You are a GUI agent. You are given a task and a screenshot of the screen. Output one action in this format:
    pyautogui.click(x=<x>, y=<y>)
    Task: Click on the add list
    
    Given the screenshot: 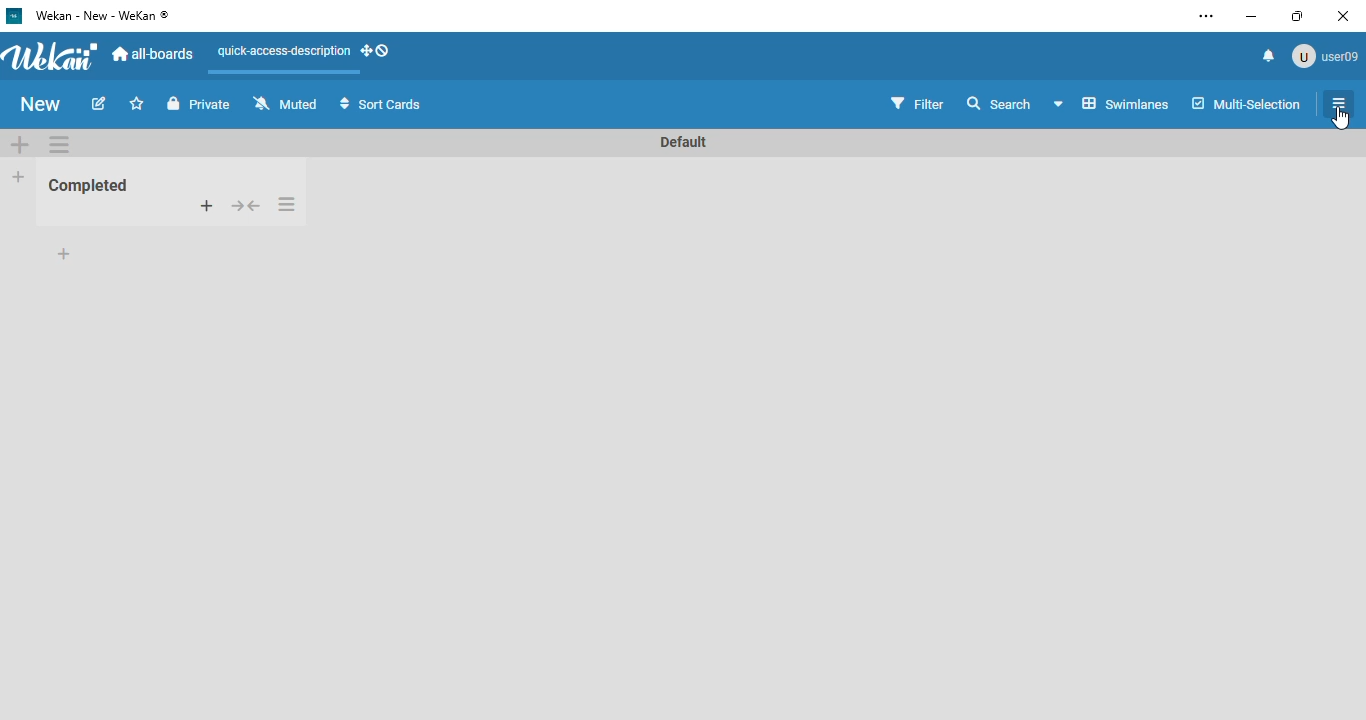 What is the action you would take?
    pyautogui.click(x=20, y=181)
    